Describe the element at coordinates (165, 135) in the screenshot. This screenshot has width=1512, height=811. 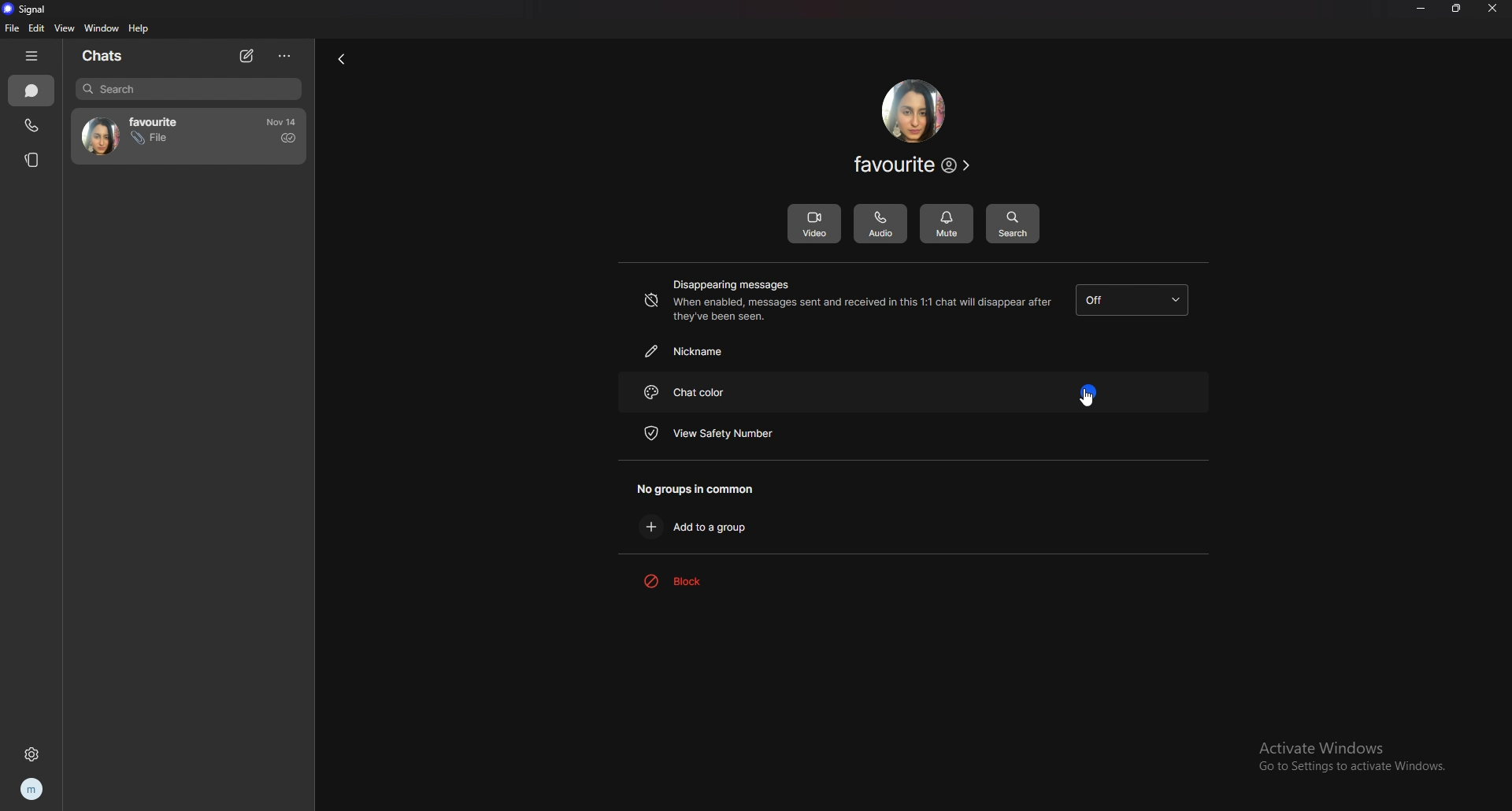
I see `contact` at that location.